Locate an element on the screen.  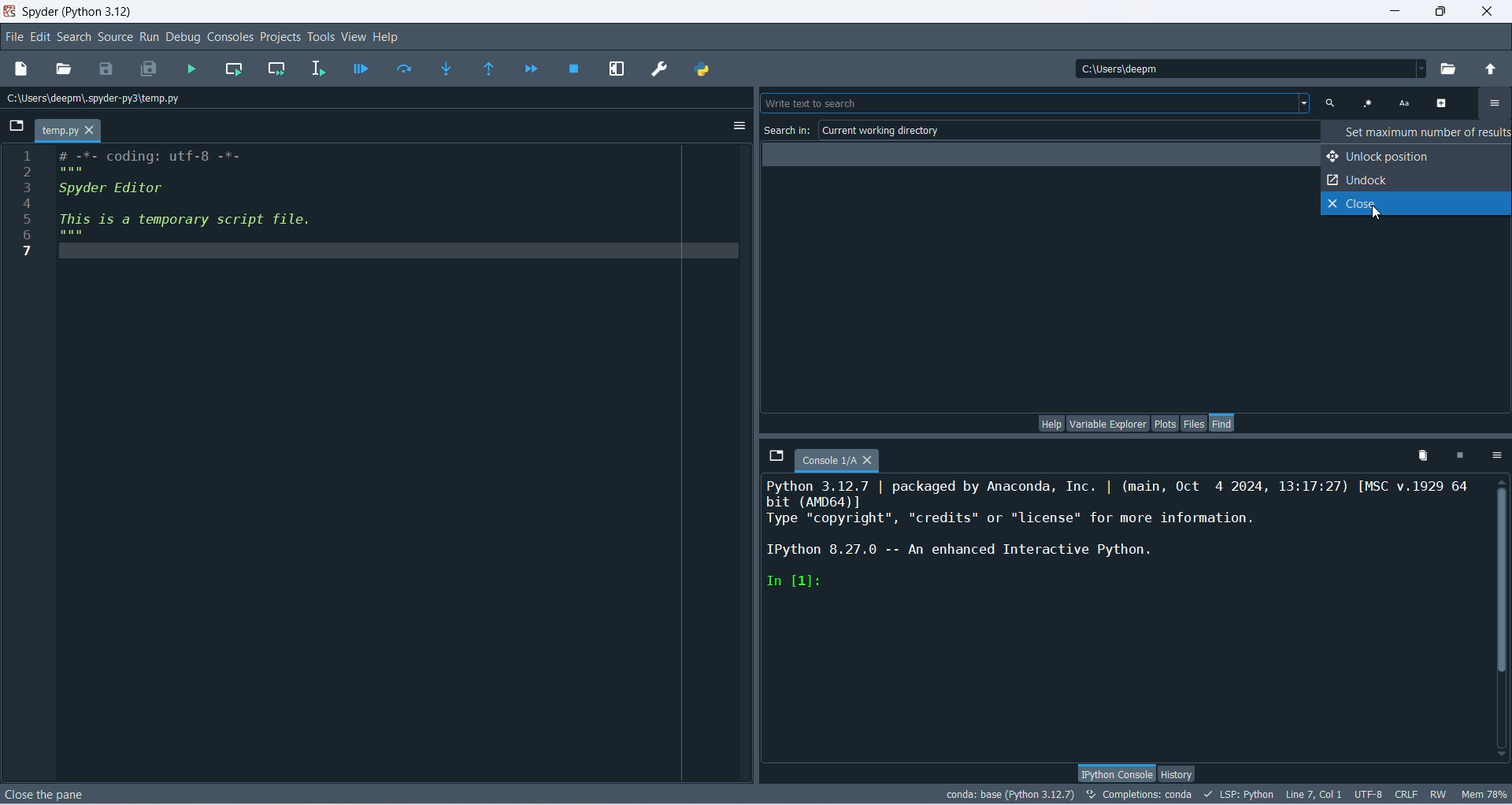
new is located at coordinates (20, 69).